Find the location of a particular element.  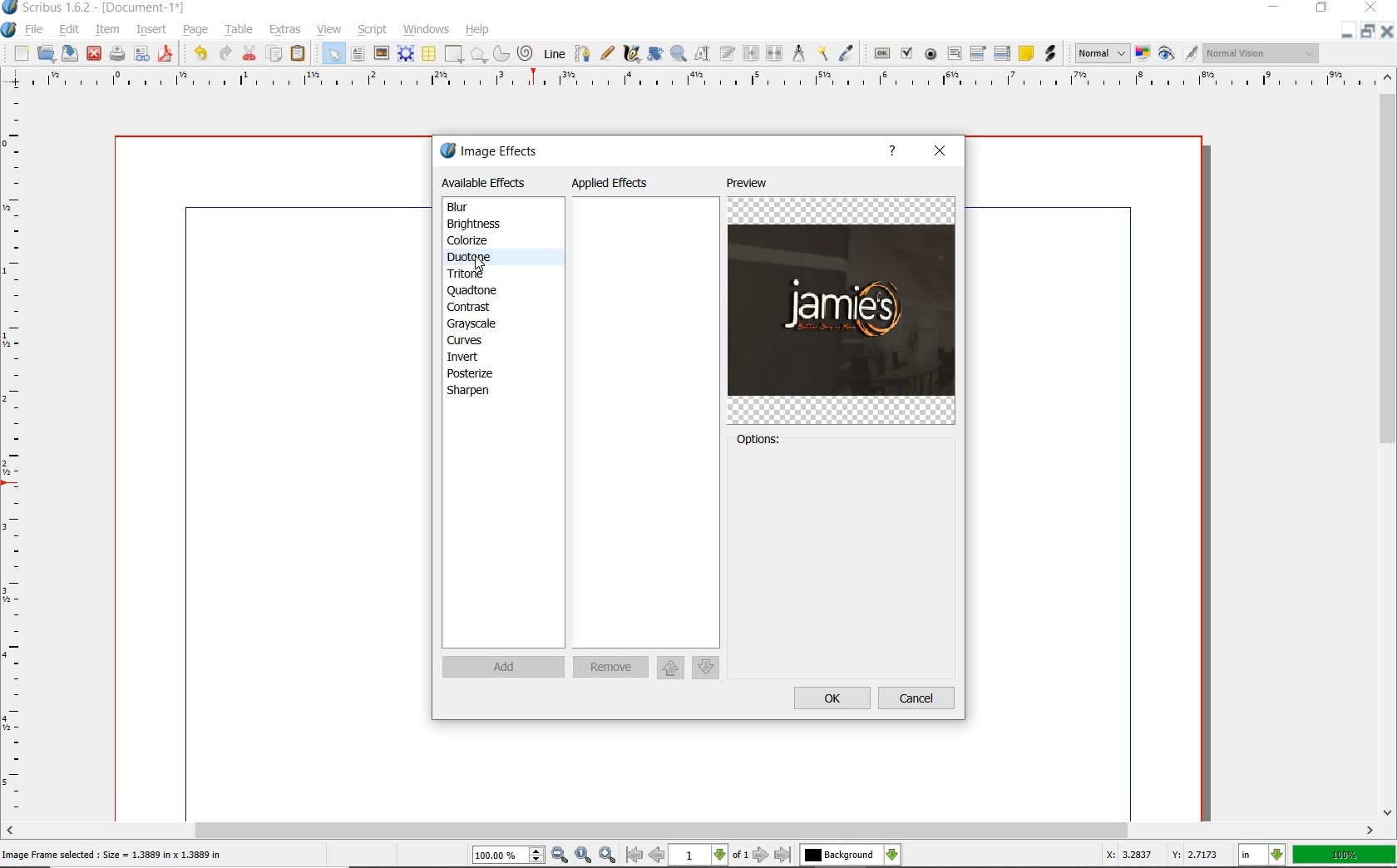

pdf check box is located at coordinates (906, 53).